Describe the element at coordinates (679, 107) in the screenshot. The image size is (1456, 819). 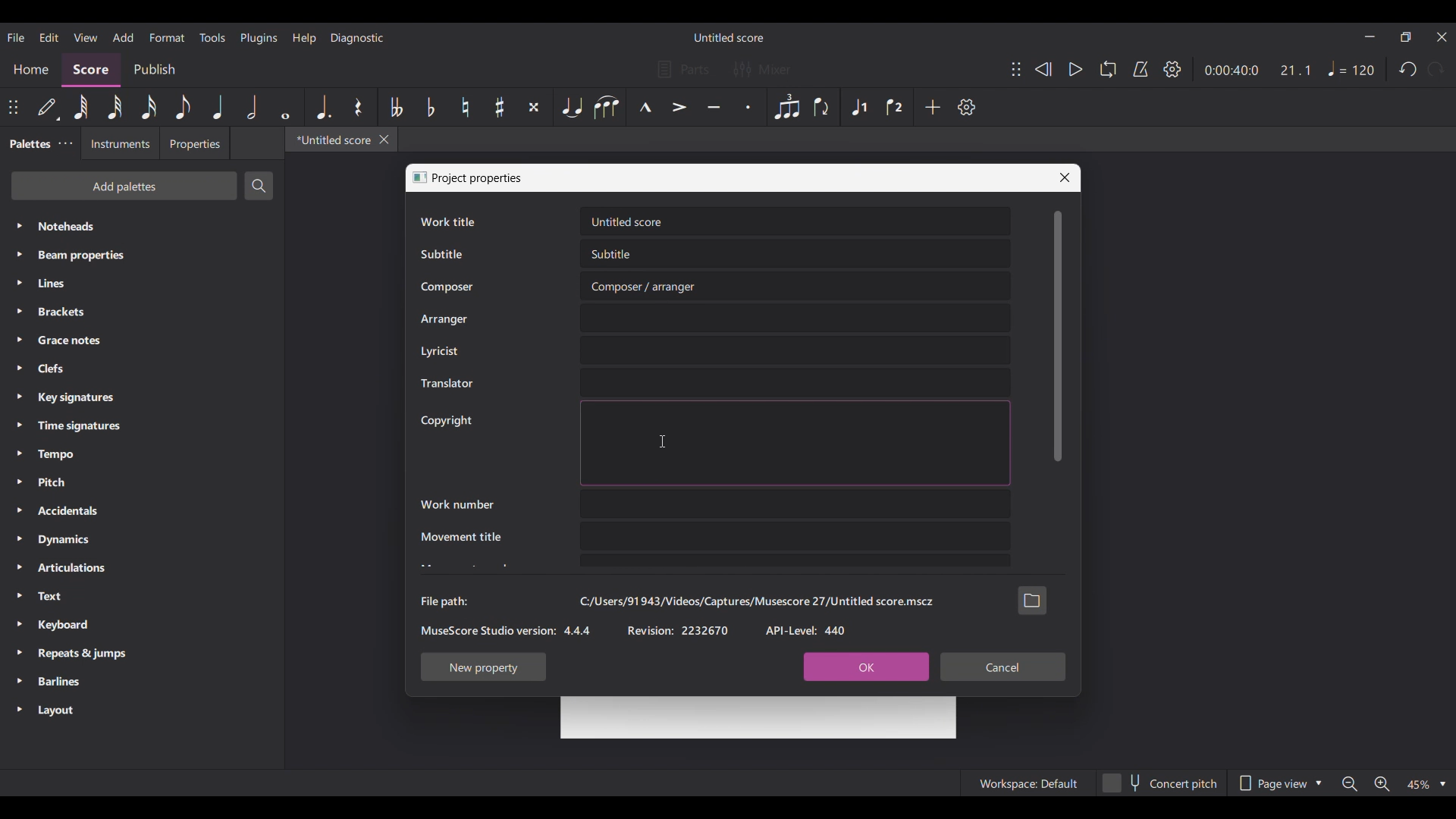
I see `Accent` at that location.